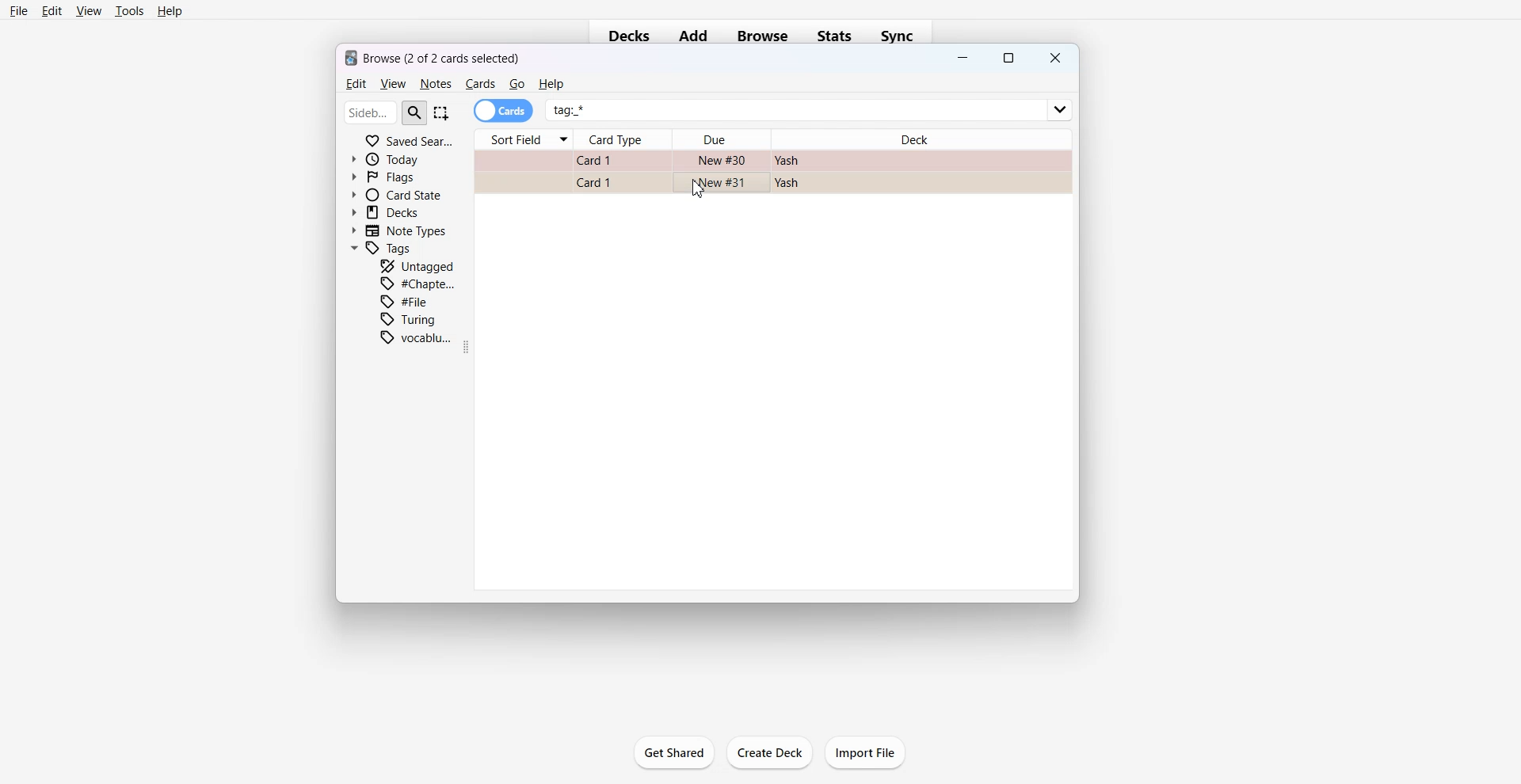  Describe the element at coordinates (409, 319) in the screenshot. I see `Turing` at that location.